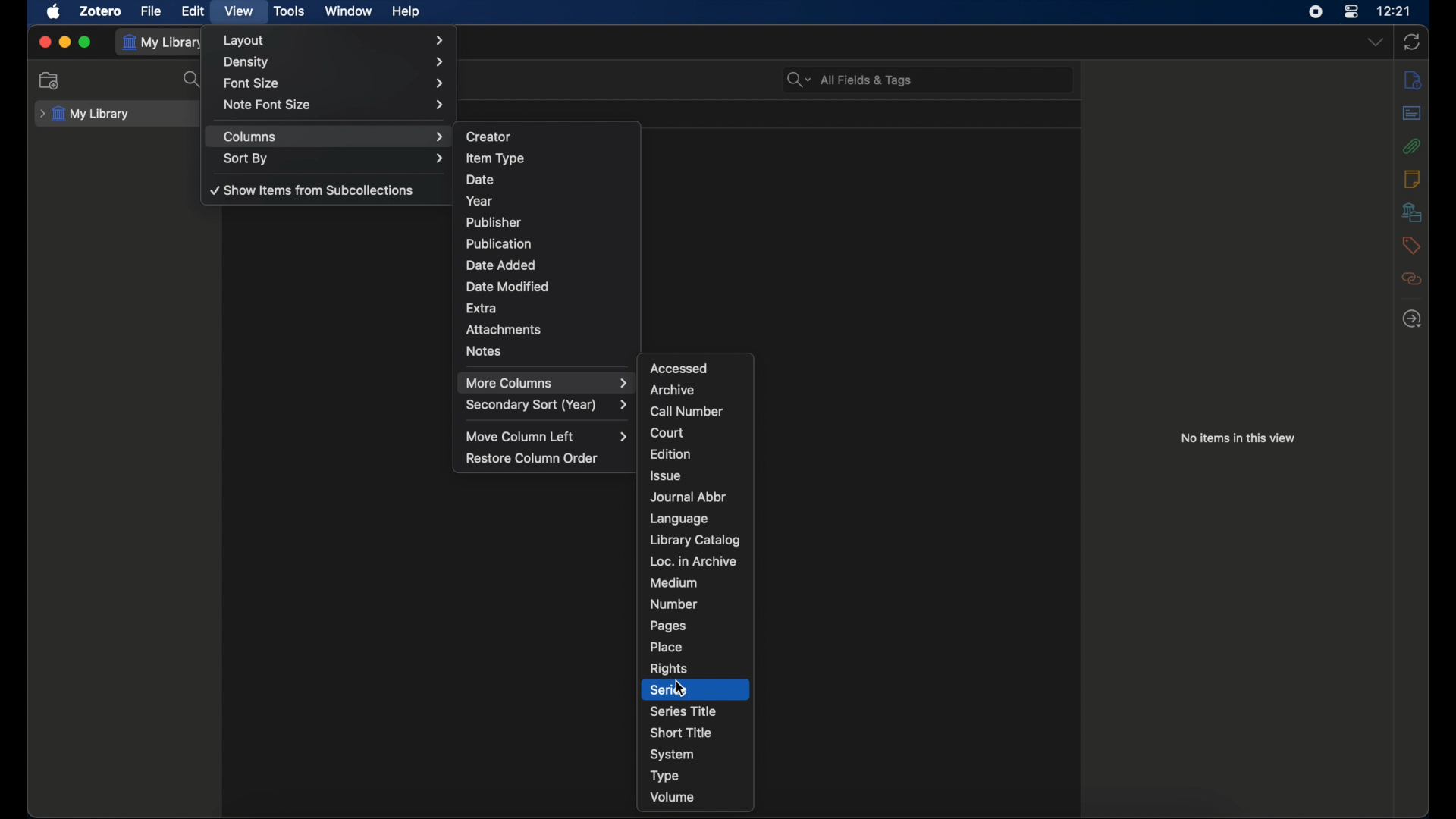 This screenshot has height=819, width=1456. Describe the element at coordinates (1377, 42) in the screenshot. I see `dropdown` at that location.